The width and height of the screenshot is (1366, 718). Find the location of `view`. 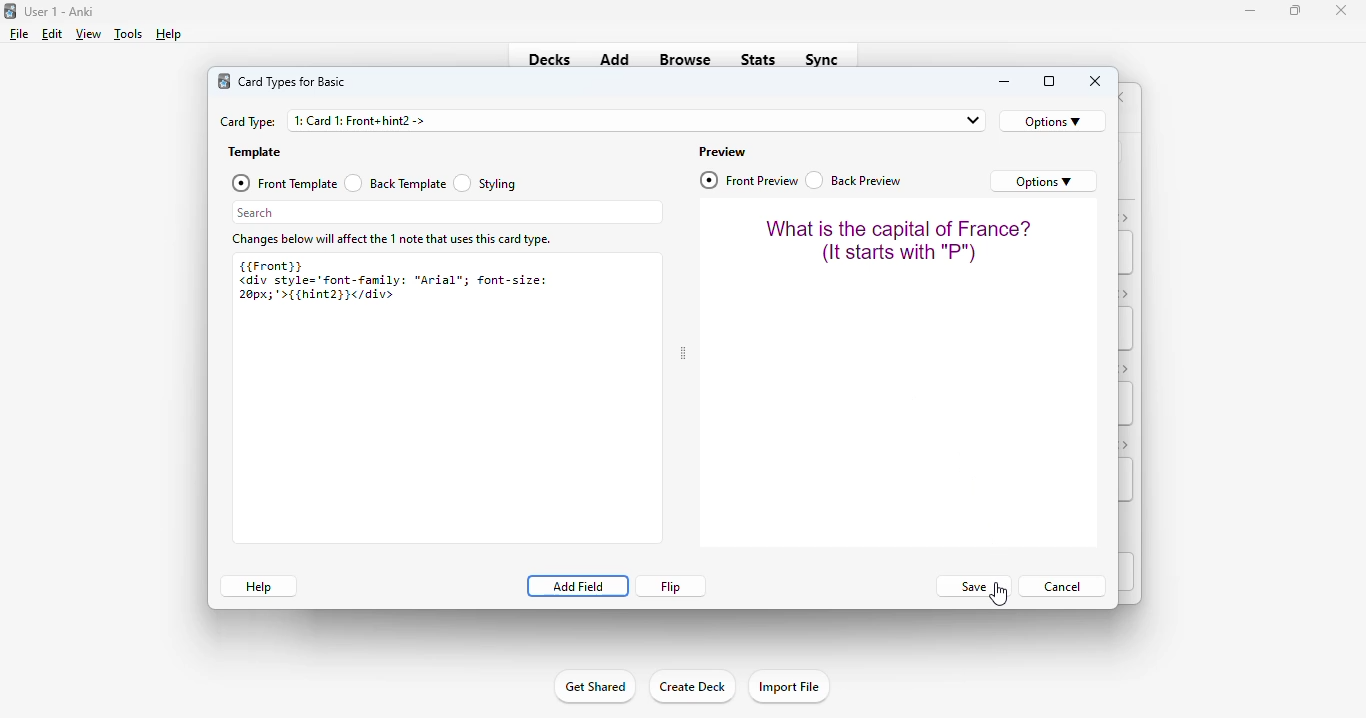

view is located at coordinates (88, 33).